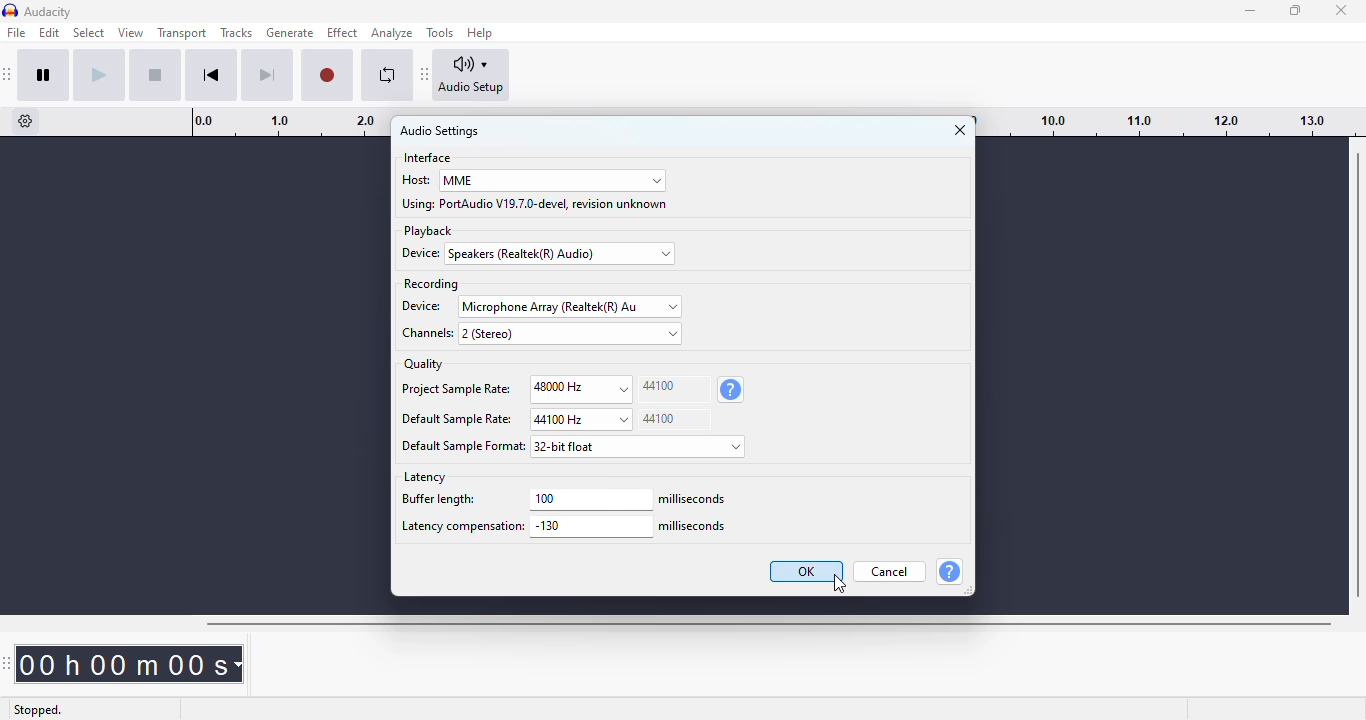 Image resolution: width=1366 pixels, height=720 pixels. What do you see at coordinates (640, 446) in the screenshot?
I see `select default sample format` at bounding box center [640, 446].